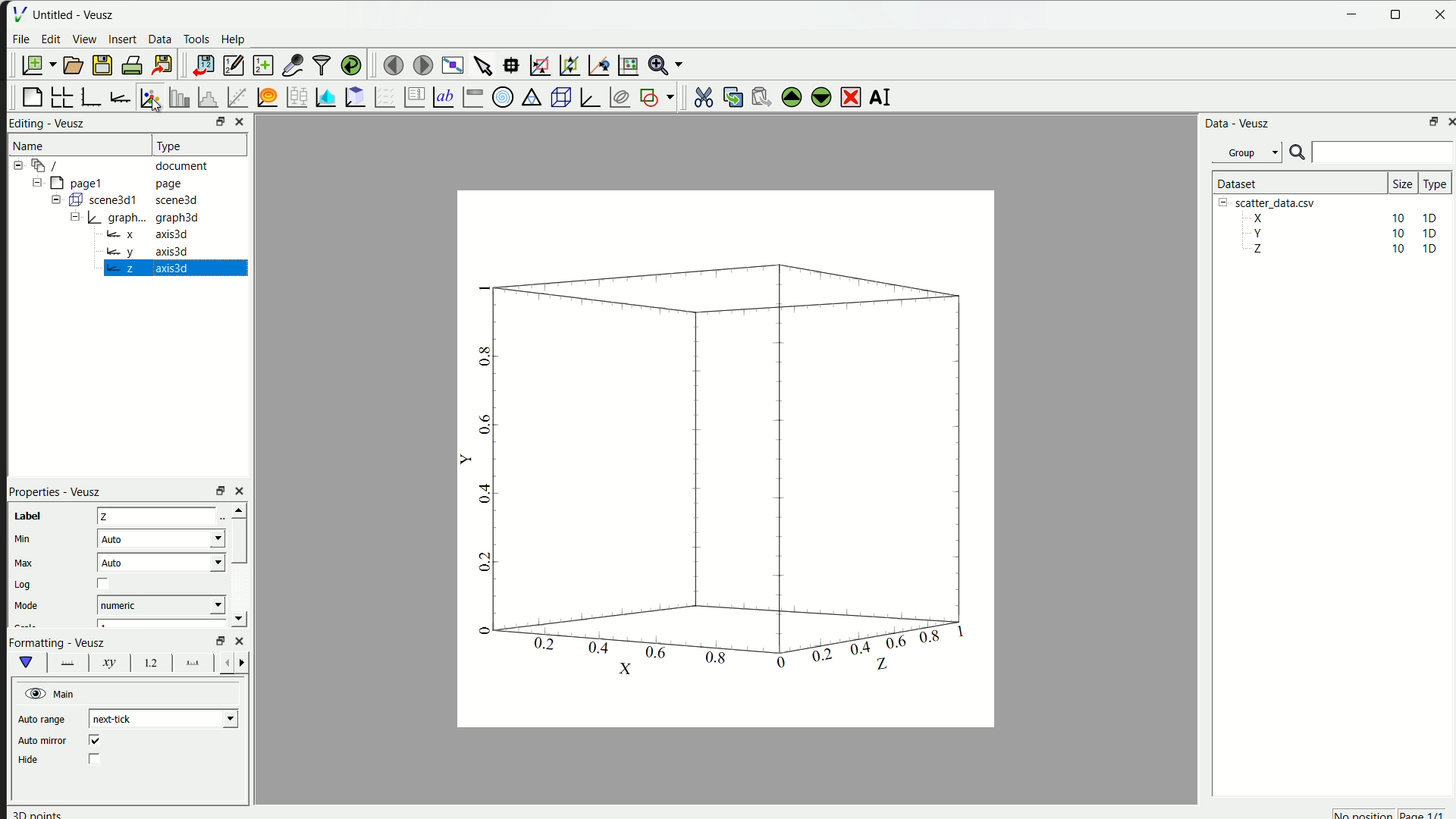 The height and width of the screenshot is (819, 1456). I want to click on | Hide, so click(31, 763).